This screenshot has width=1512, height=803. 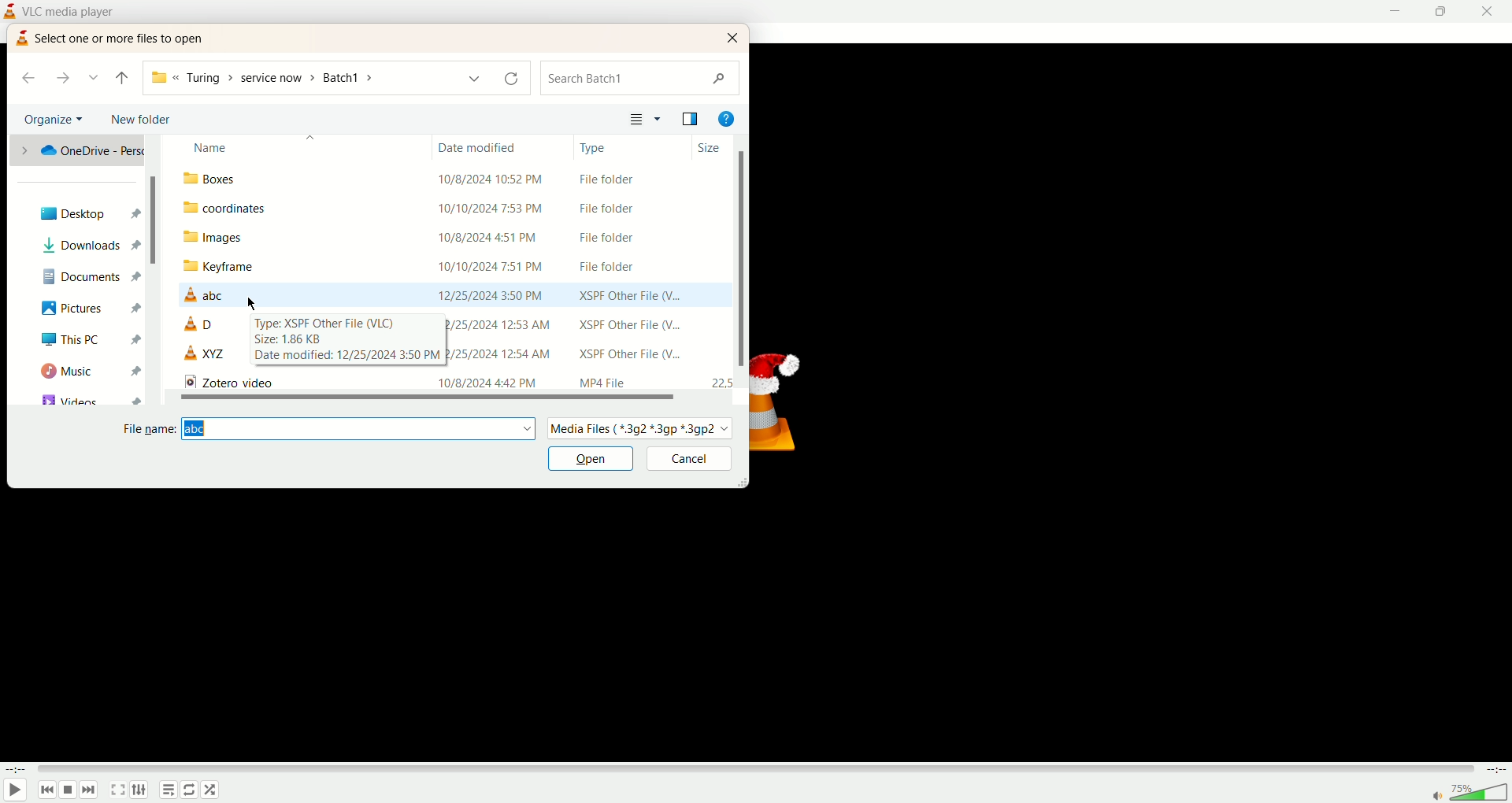 What do you see at coordinates (144, 120) in the screenshot?
I see `new folder` at bounding box center [144, 120].